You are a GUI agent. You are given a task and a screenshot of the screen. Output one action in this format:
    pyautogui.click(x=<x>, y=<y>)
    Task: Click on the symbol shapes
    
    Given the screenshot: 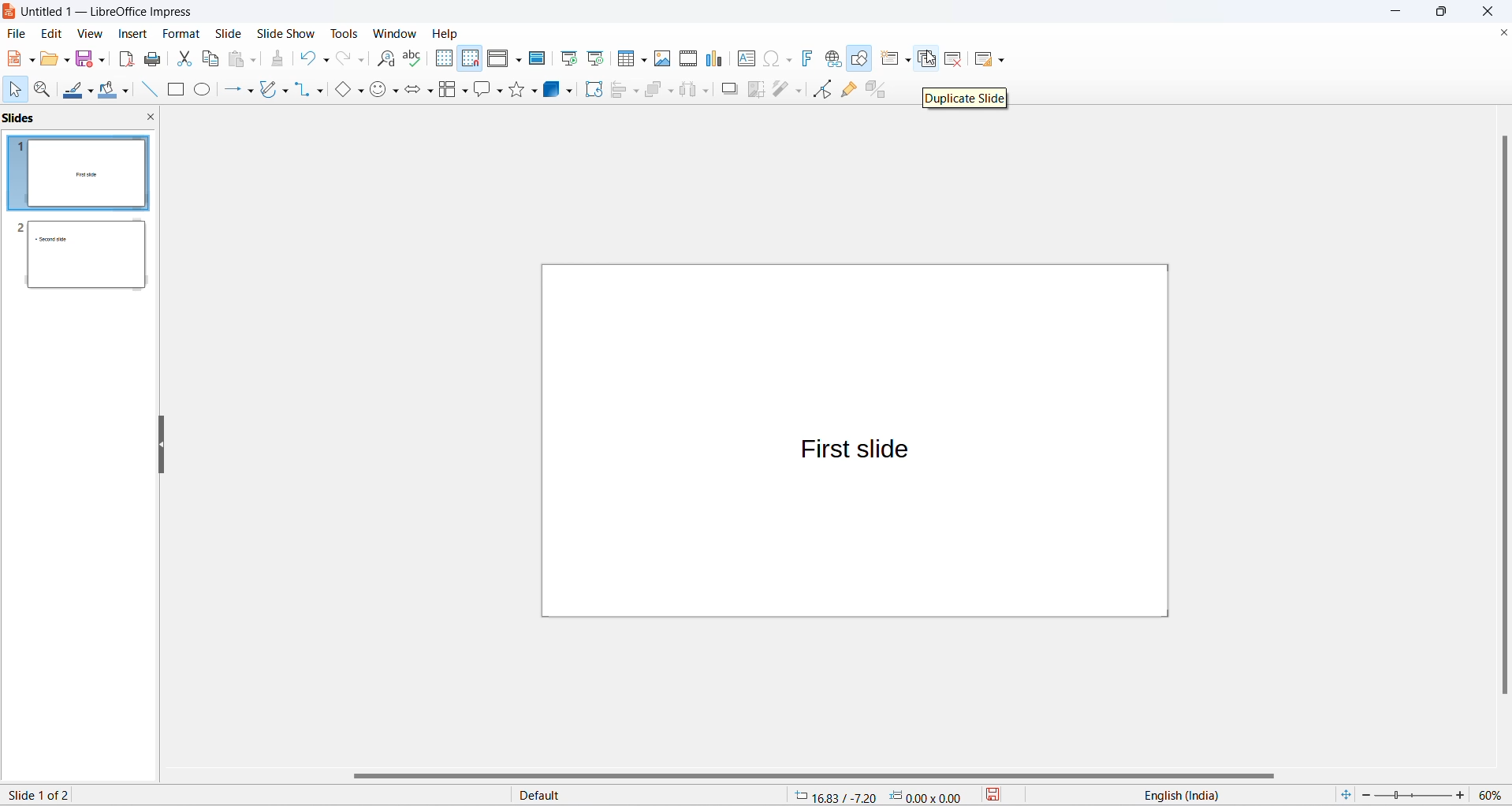 What is the action you would take?
    pyautogui.click(x=378, y=91)
    